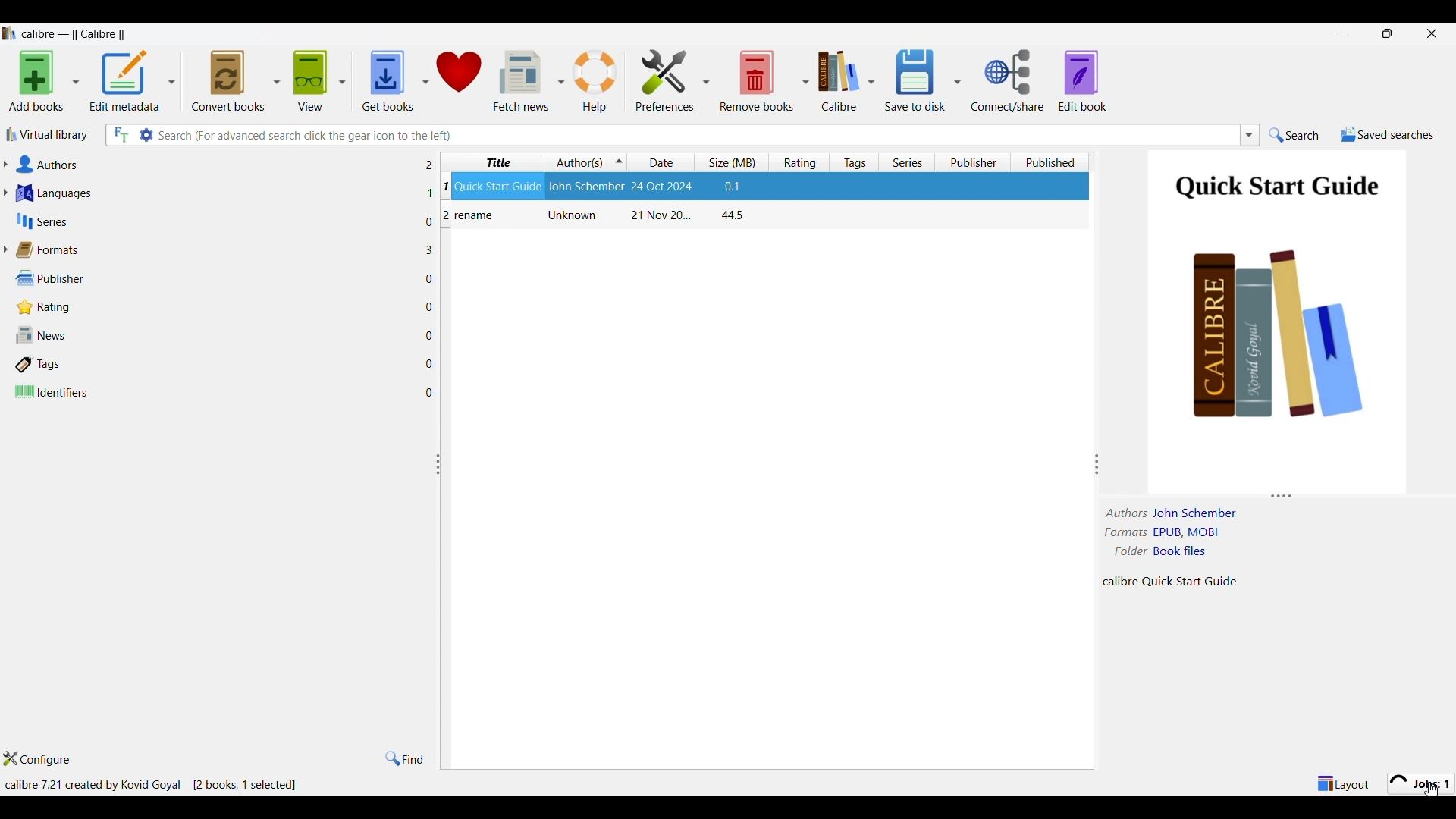  I want to click on Show/Hide parts of the main layout, so click(1341, 783).